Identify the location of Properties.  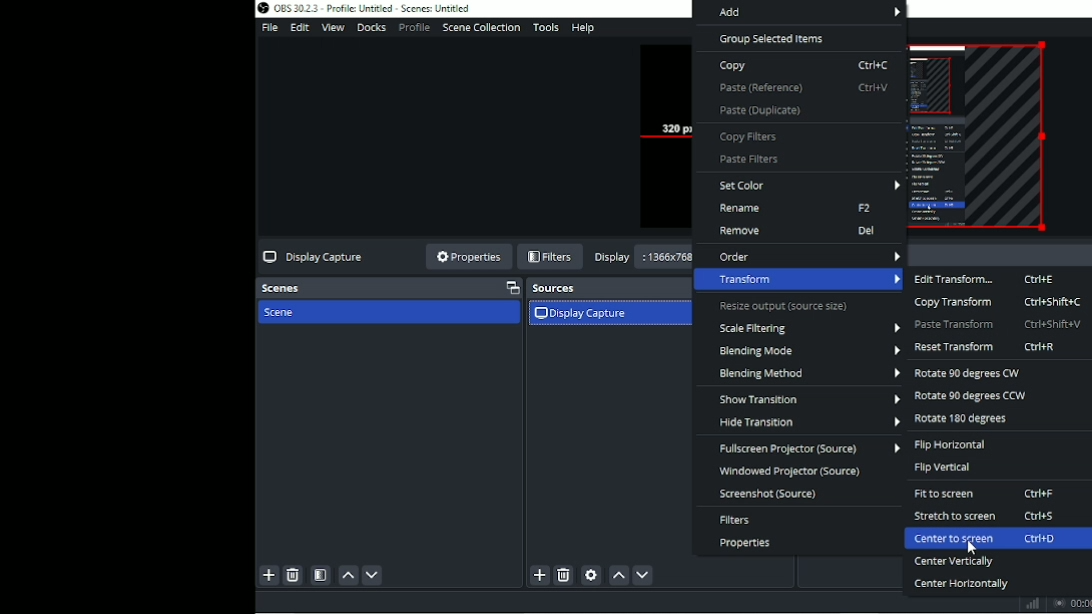
(755, 543).